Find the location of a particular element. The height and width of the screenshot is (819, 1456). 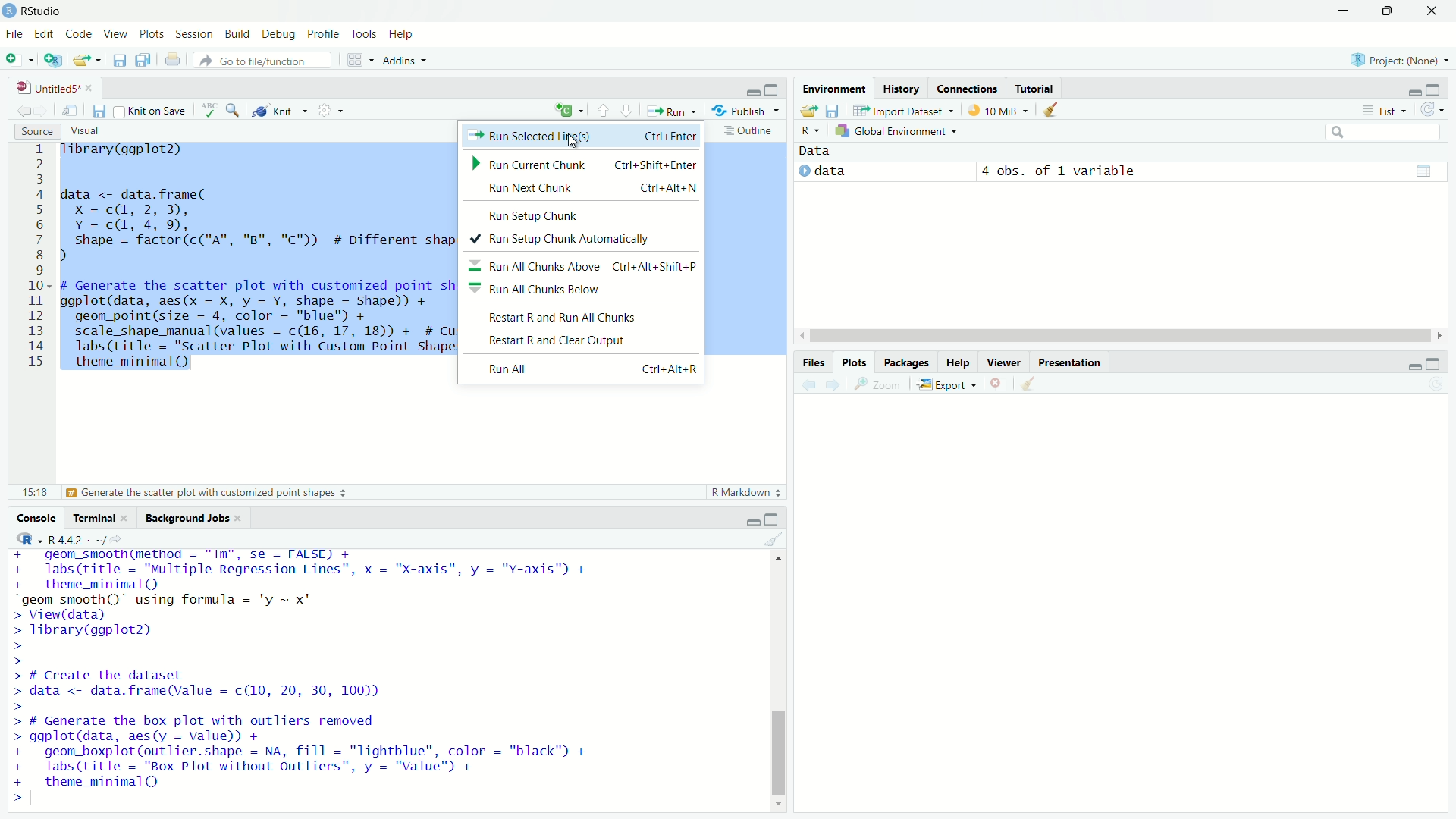

minimize is located at coordinates (1345, 11).